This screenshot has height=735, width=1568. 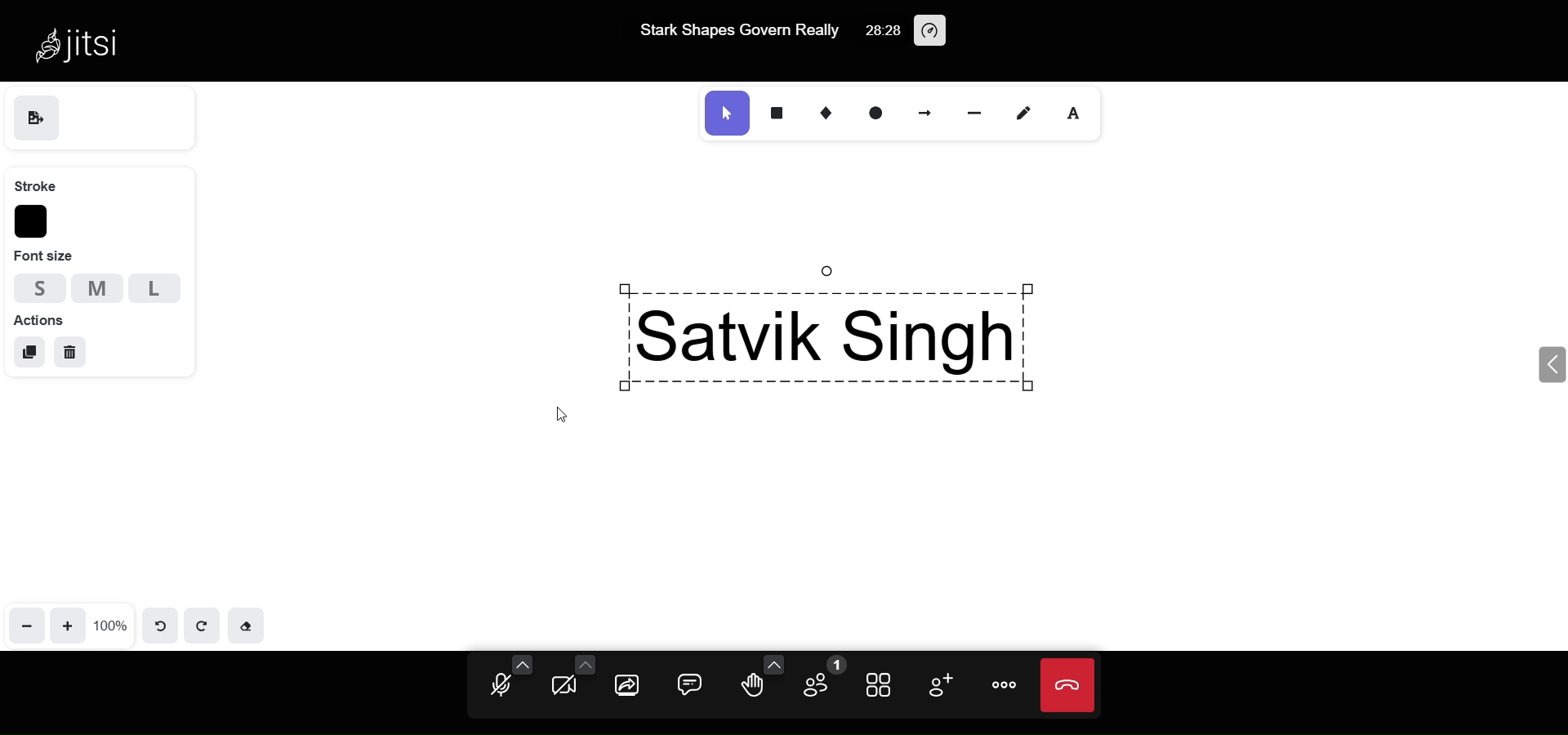 What do you see at coordinates (728, 112) in the screenshot?
I see `select` at bounding box center [728, 112].